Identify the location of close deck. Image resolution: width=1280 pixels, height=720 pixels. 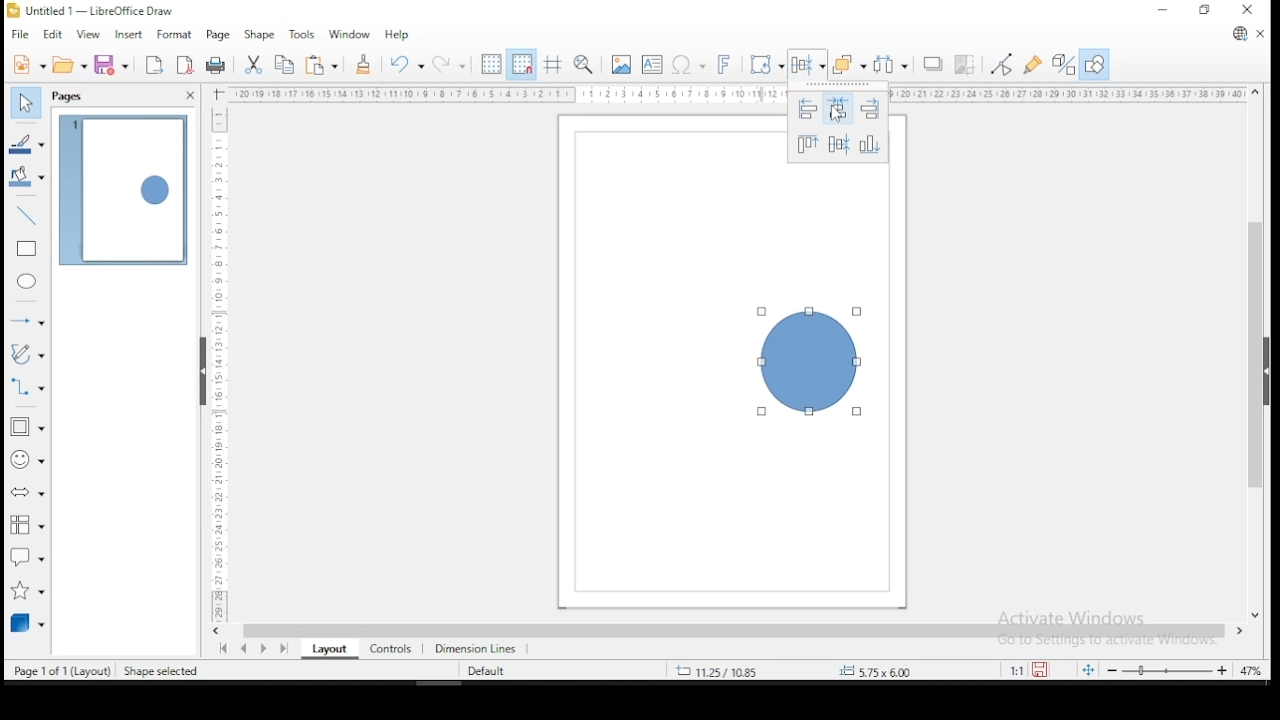
(189, 96).